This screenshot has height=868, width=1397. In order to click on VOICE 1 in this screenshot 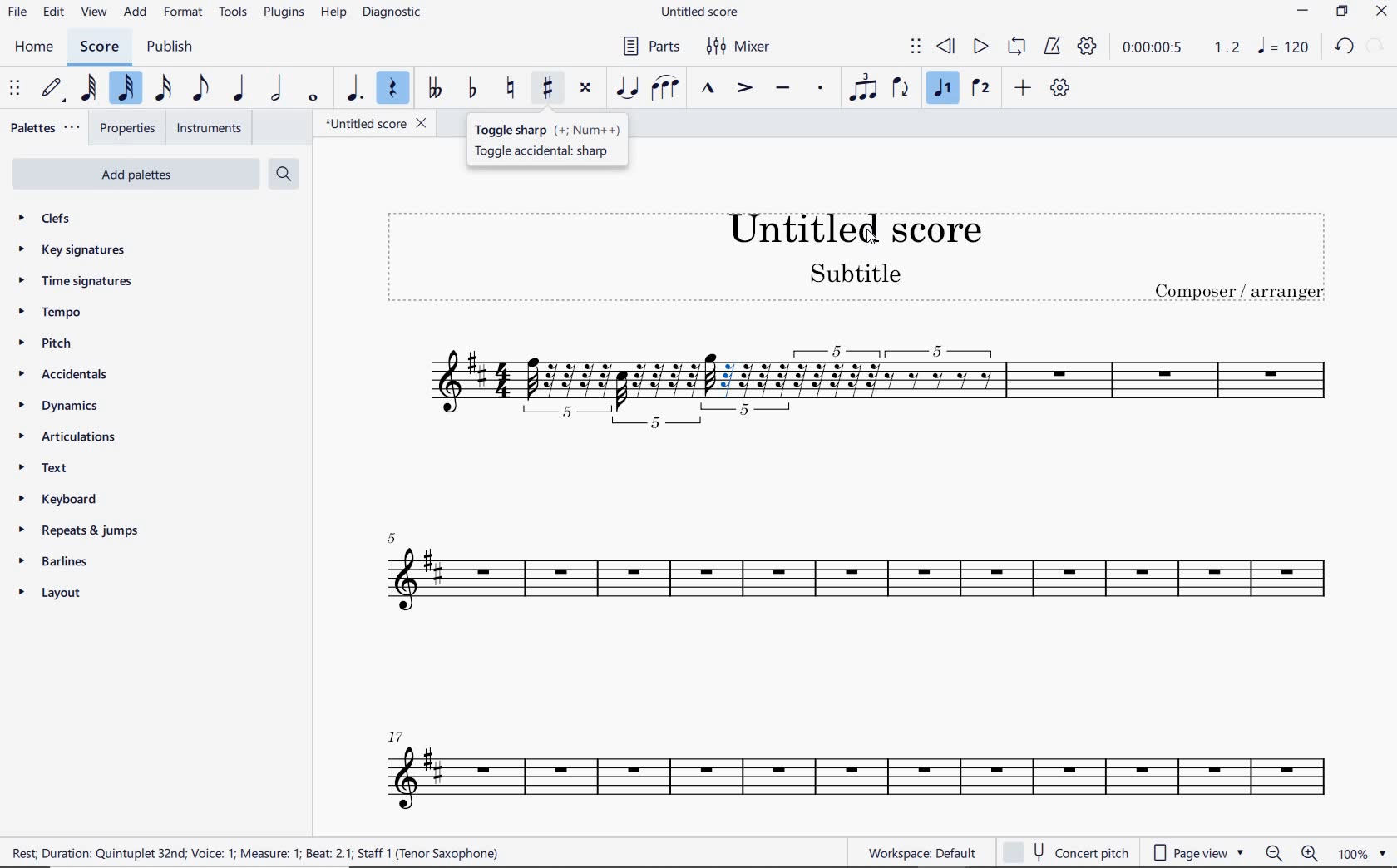, I will do `click(943, 89)`.